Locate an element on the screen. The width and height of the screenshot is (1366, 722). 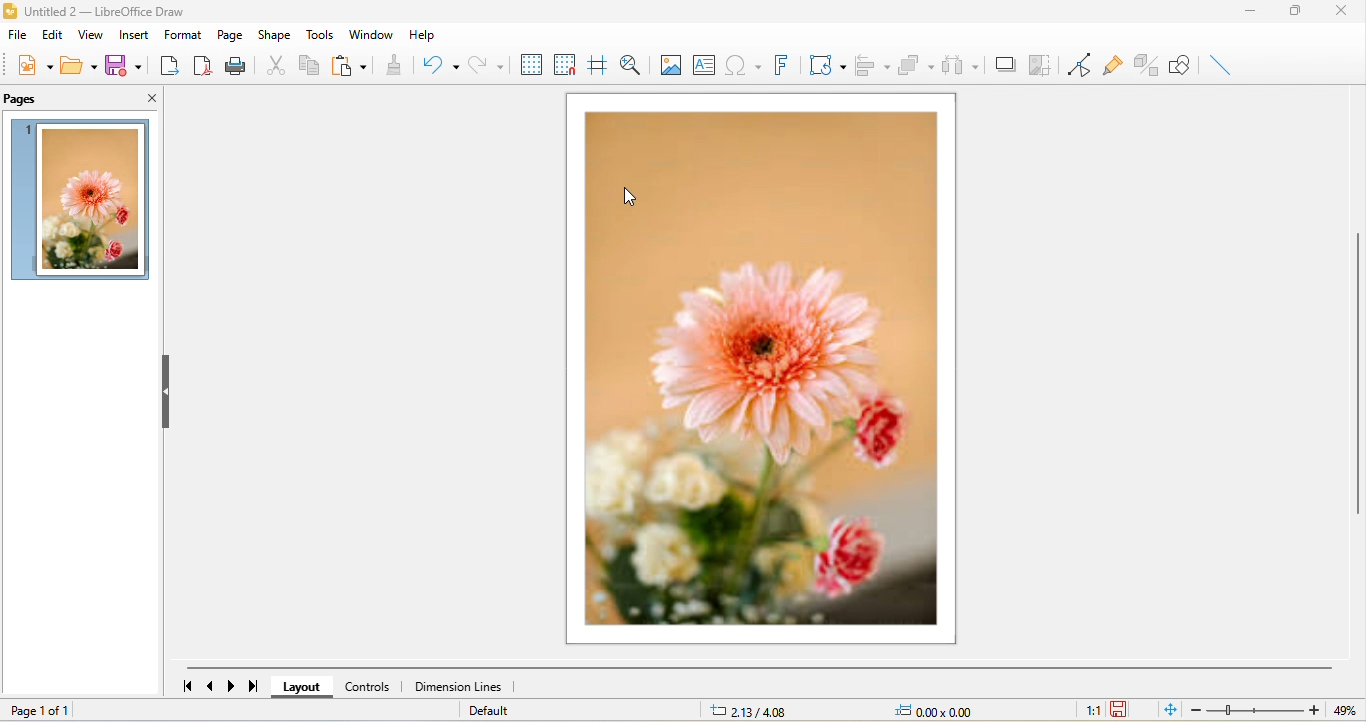
maximize is located at coordinates (1305, 13).